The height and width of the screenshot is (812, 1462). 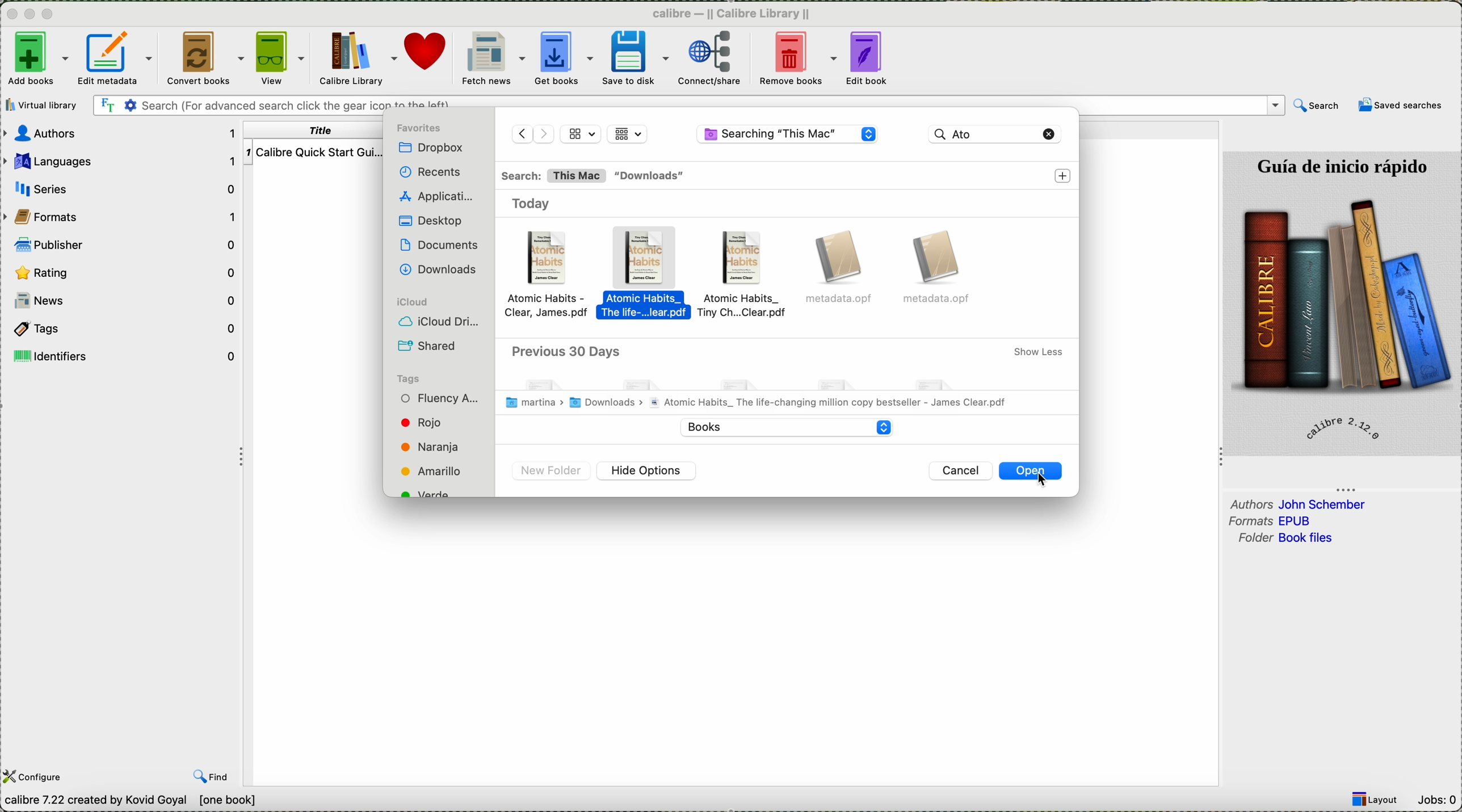 I want to click on convert books, so click(x=205, y=57).